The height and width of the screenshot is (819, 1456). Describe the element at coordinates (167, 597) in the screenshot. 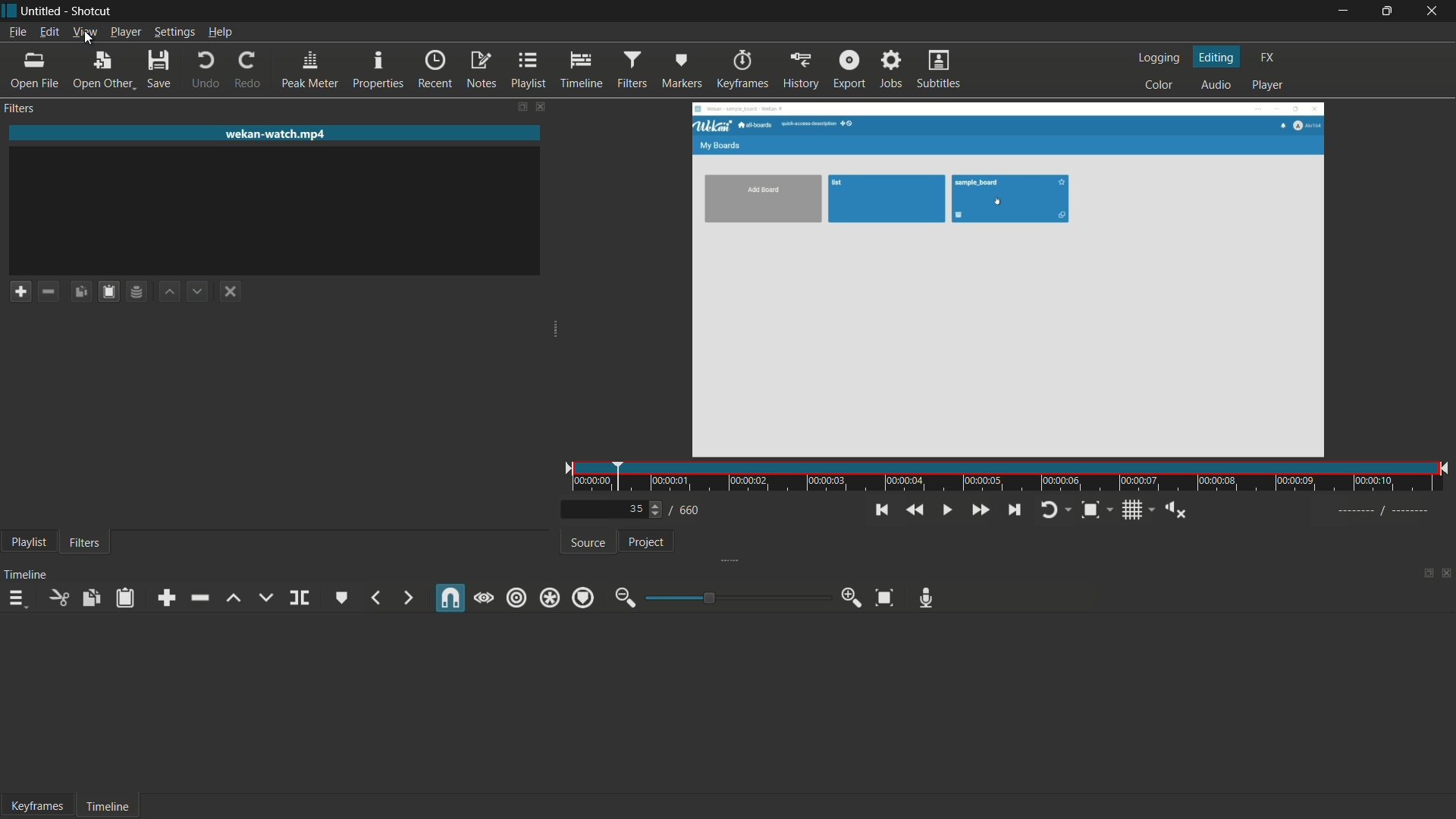

I see `append` at that location.